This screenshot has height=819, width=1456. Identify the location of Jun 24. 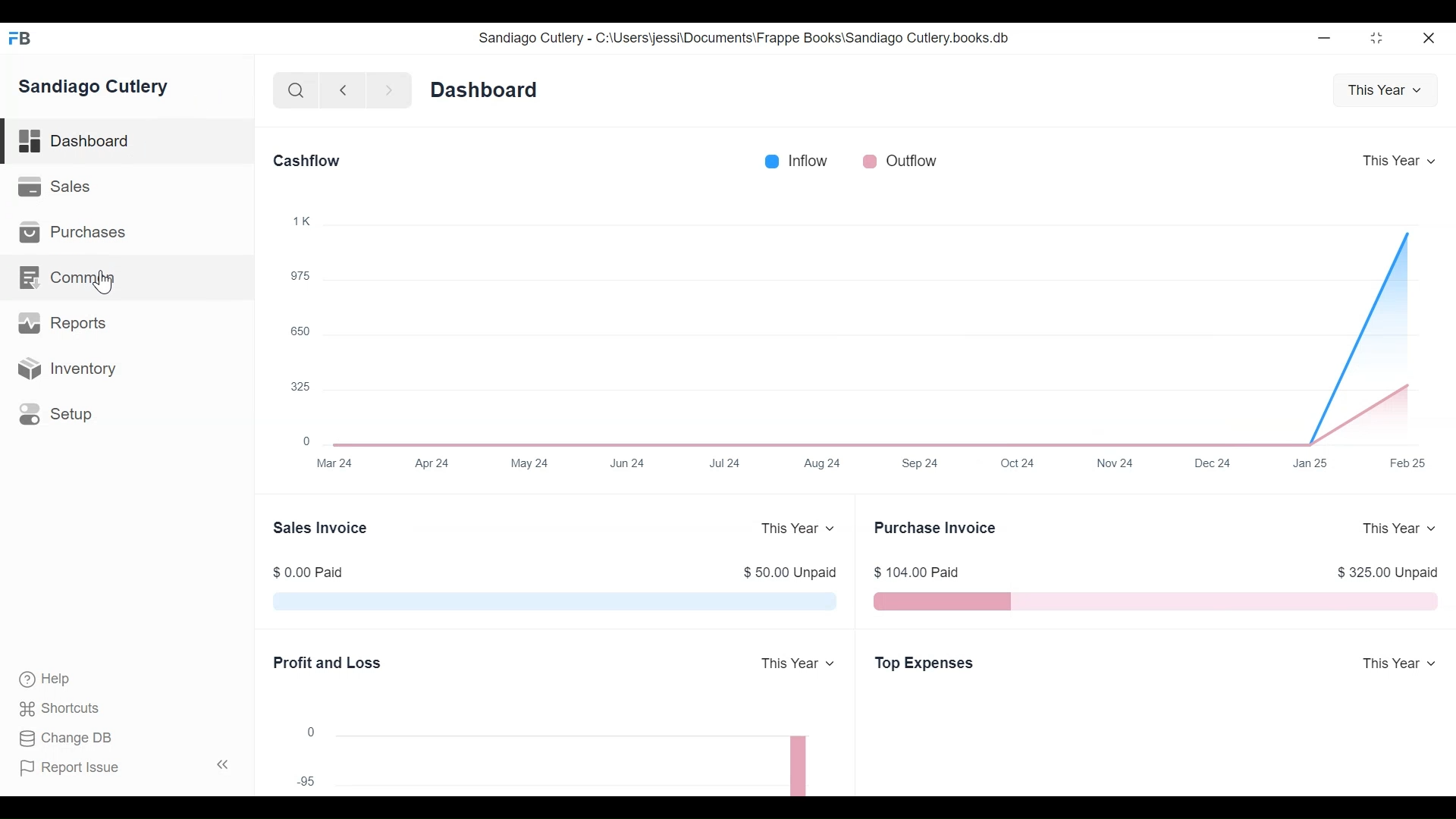
(626, 462).